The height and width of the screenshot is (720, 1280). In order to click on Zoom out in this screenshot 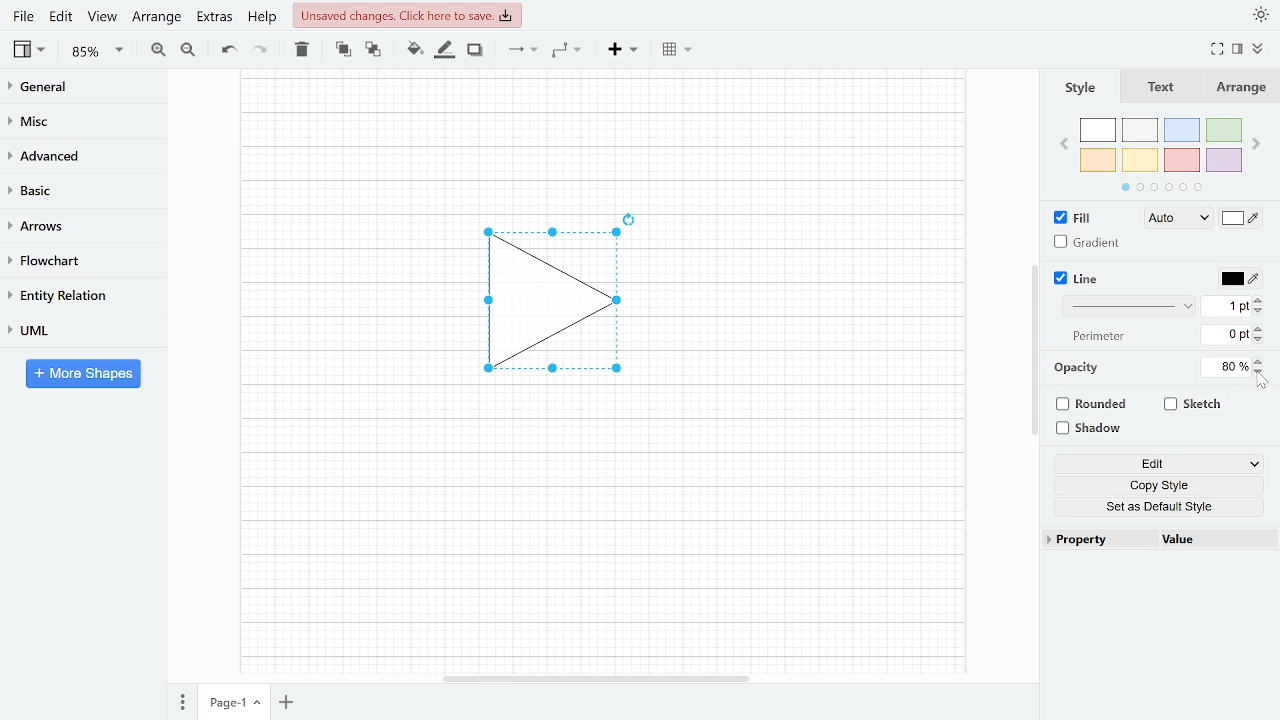, I will do `click(190, 49)`.